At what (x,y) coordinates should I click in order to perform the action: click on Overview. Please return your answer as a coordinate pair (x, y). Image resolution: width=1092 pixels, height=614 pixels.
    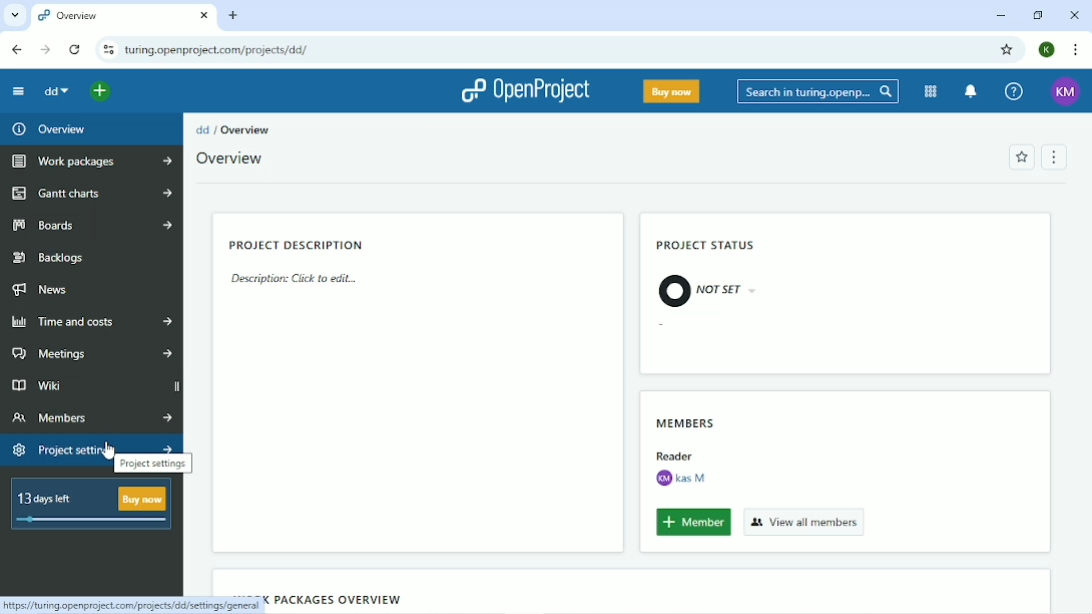
    Looking at the image, I should click on (126, 15).